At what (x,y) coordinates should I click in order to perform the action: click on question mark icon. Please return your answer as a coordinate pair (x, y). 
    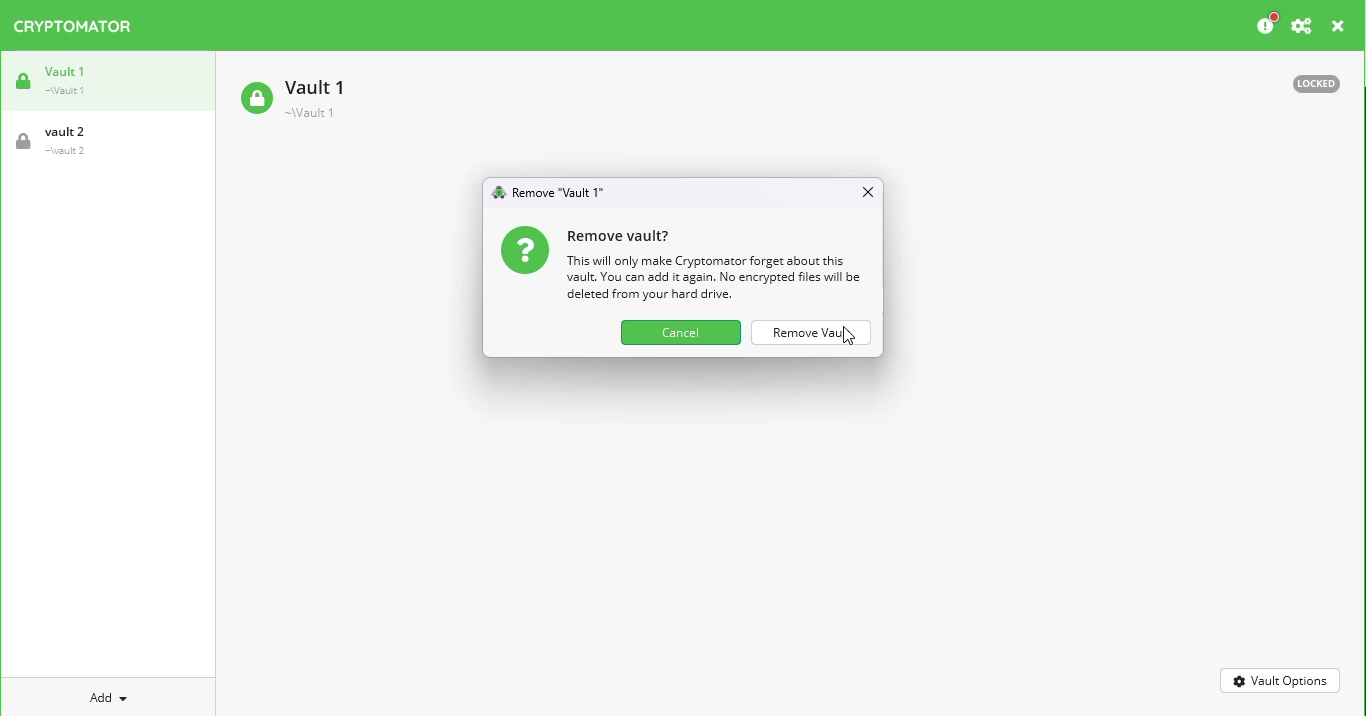
    Looking at the image, I should click on (526, 250).